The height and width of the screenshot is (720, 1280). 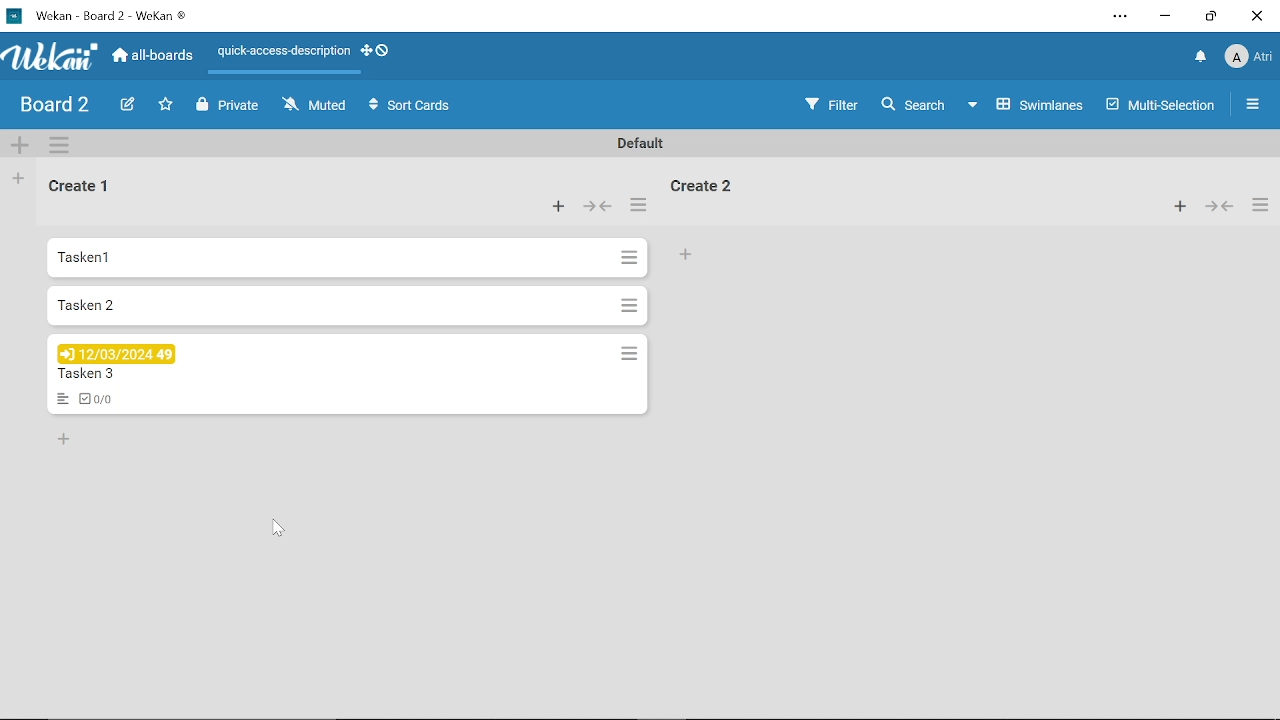 What do you see at coordinates (1209, 19) in the screenshot?
I see `Restore down` at bounding box center [1209, 19].